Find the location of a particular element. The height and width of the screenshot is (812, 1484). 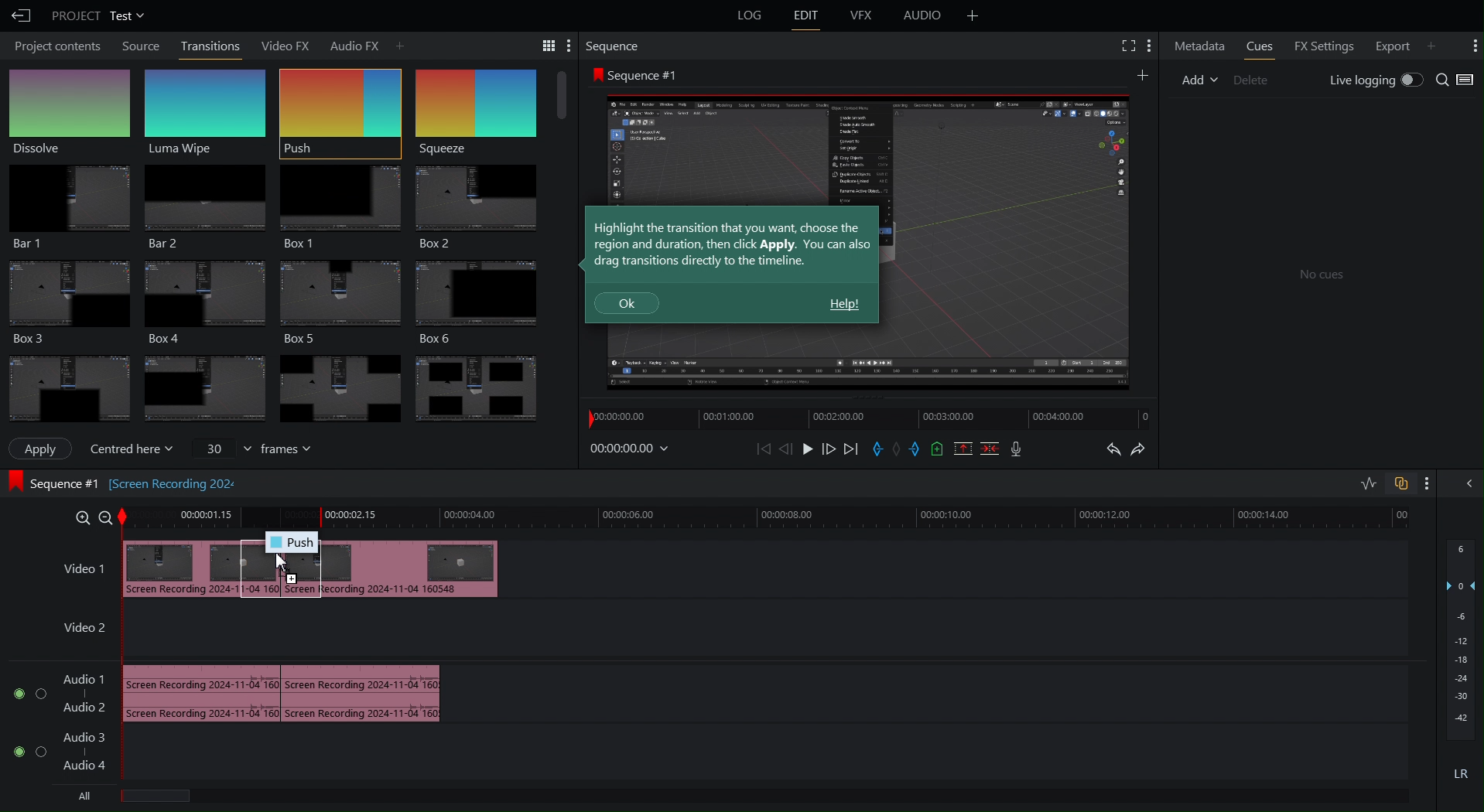

Skip Back is located at coordinates (764, 449).